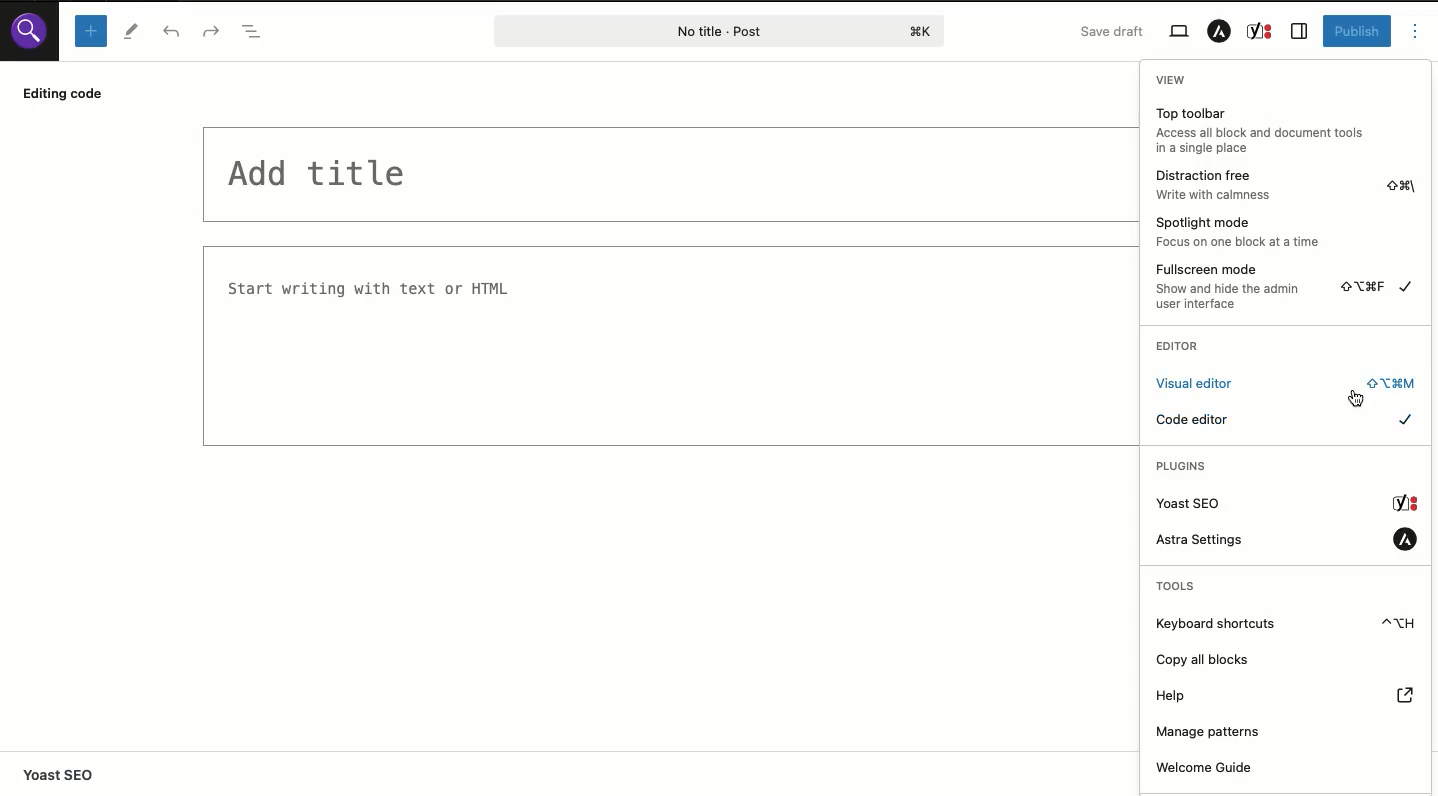  What do you see at coordinates (1261, 31) in the screenshot?
I see `Yoast` at bounding box center [1261, 31].